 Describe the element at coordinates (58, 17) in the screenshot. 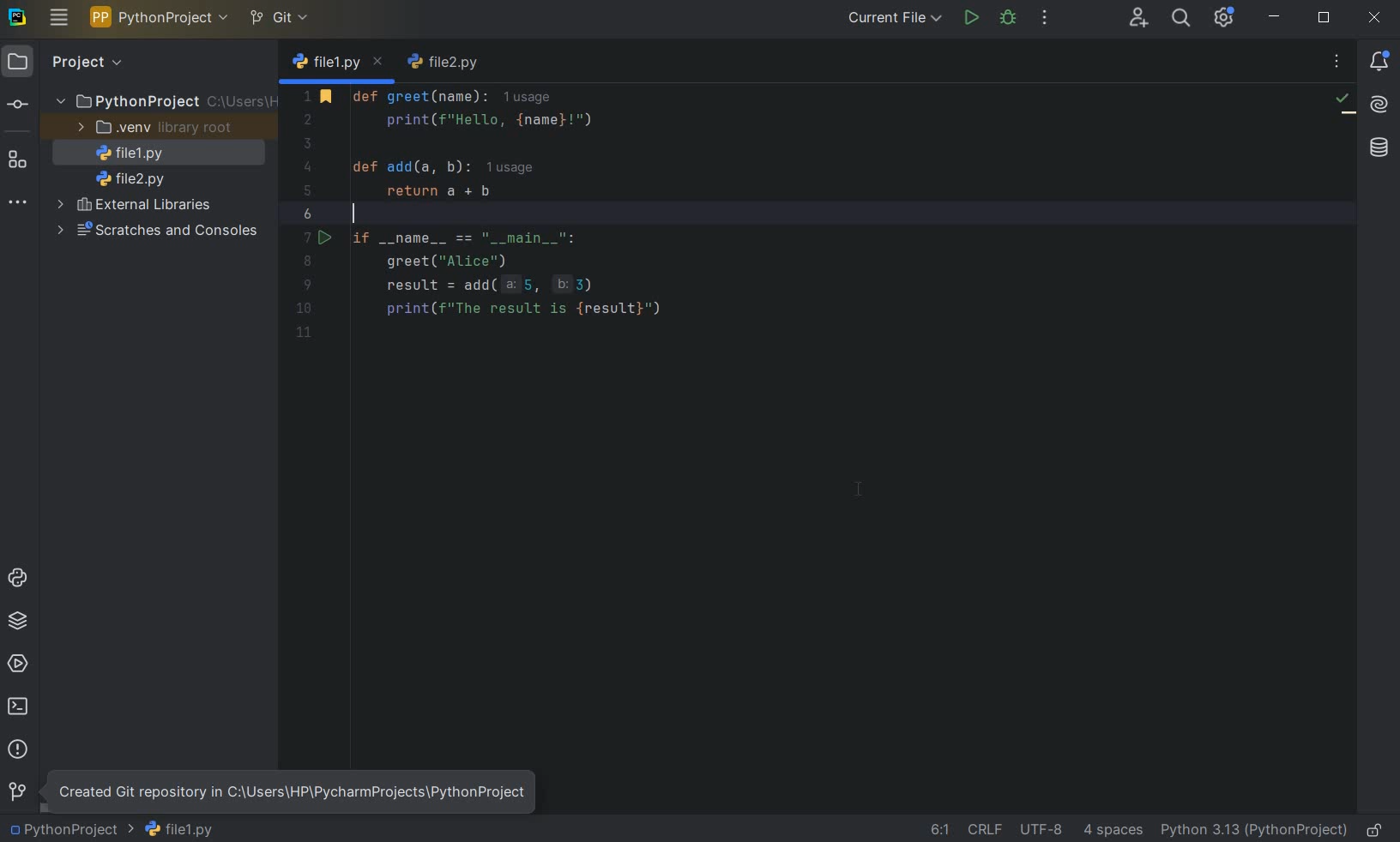

I see `main menu` at that location.